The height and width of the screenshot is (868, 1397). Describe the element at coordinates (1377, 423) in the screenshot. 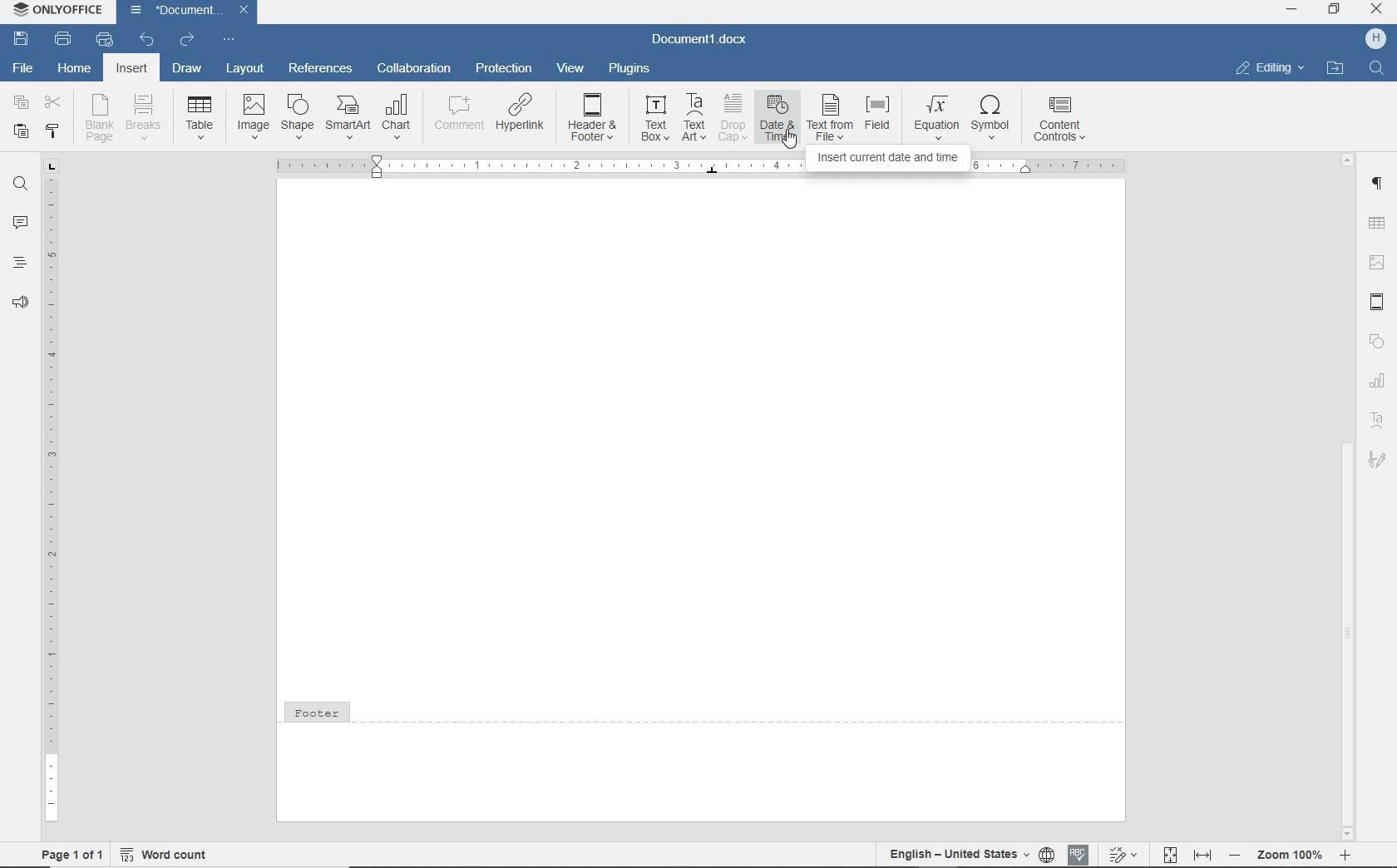

I see `Text Art` at that location.